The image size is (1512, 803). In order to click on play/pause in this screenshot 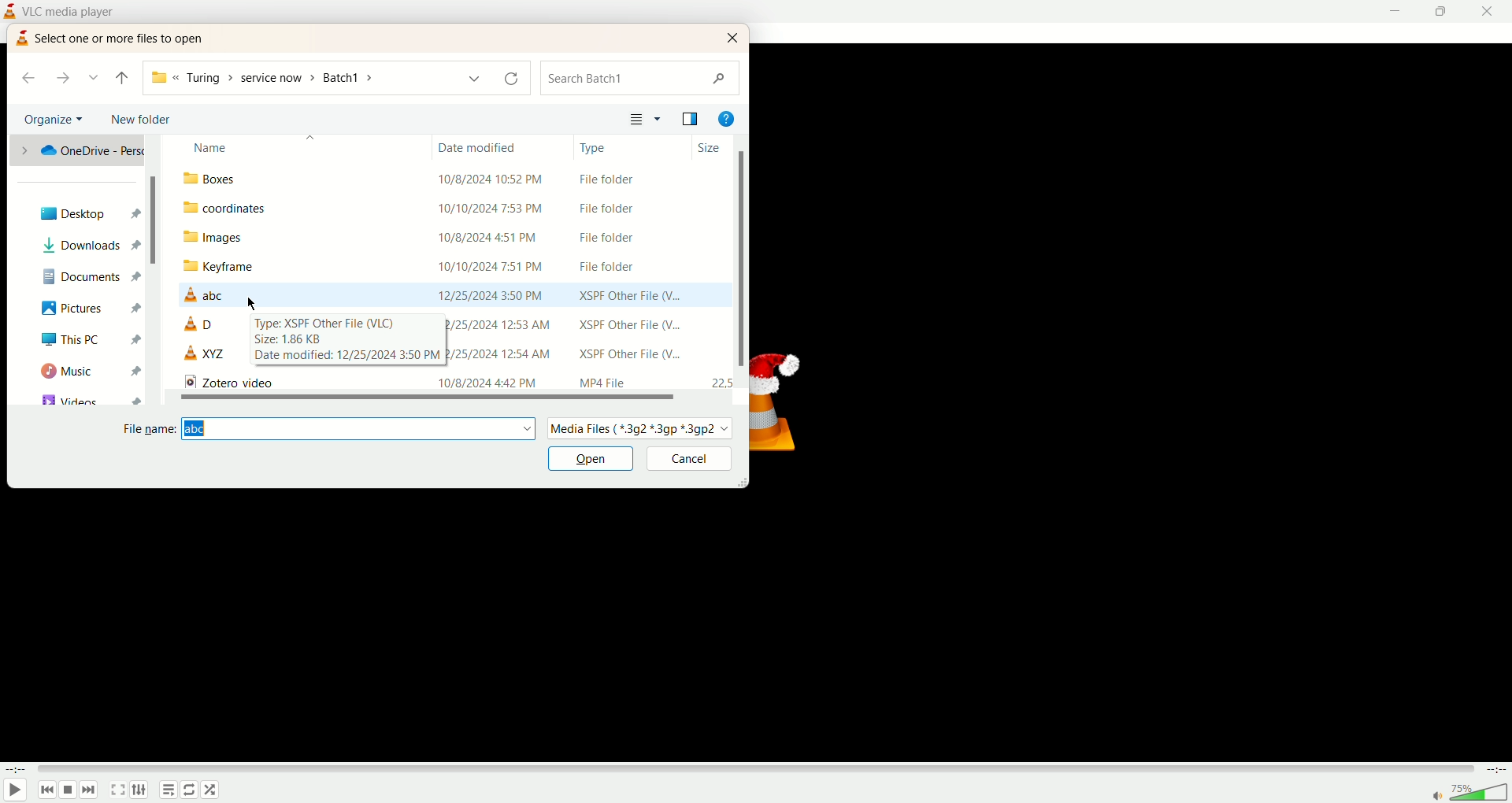, I will do `click(15, 790)`.